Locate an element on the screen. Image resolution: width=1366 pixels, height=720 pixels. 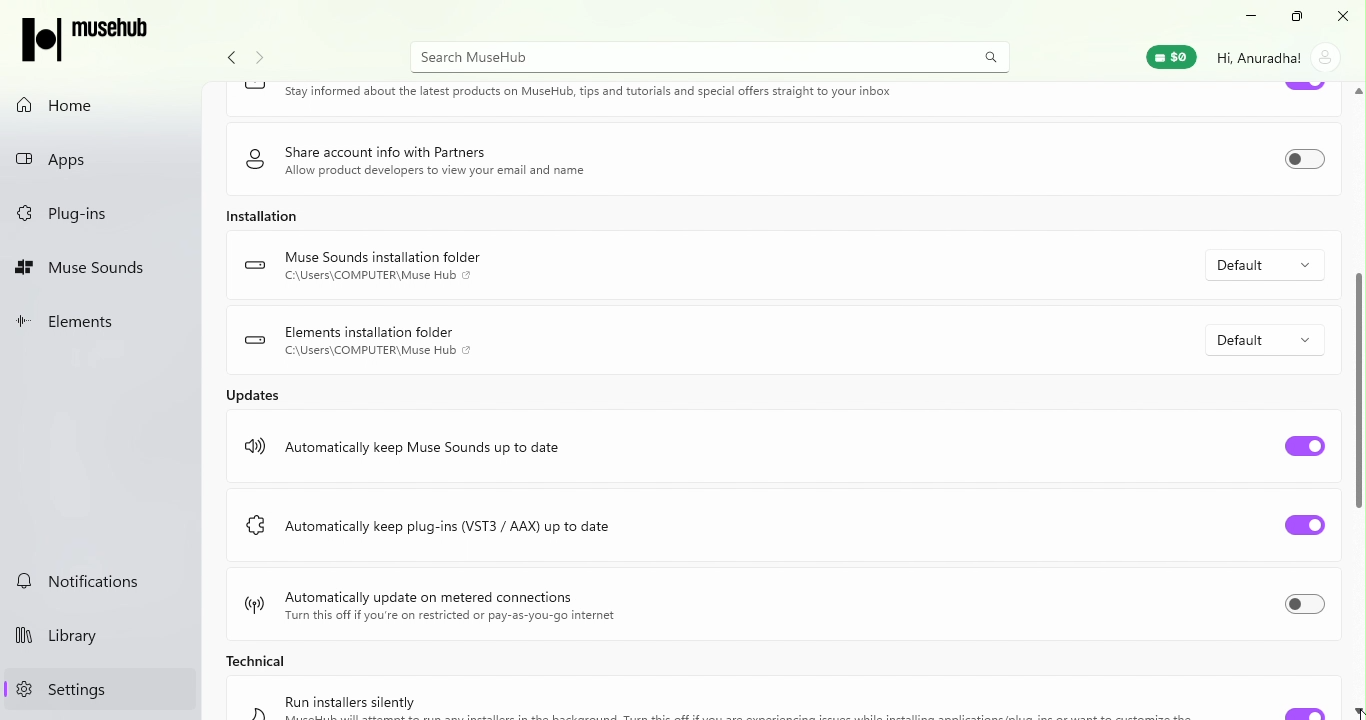
Resize is located at coordinates (1298, 19).